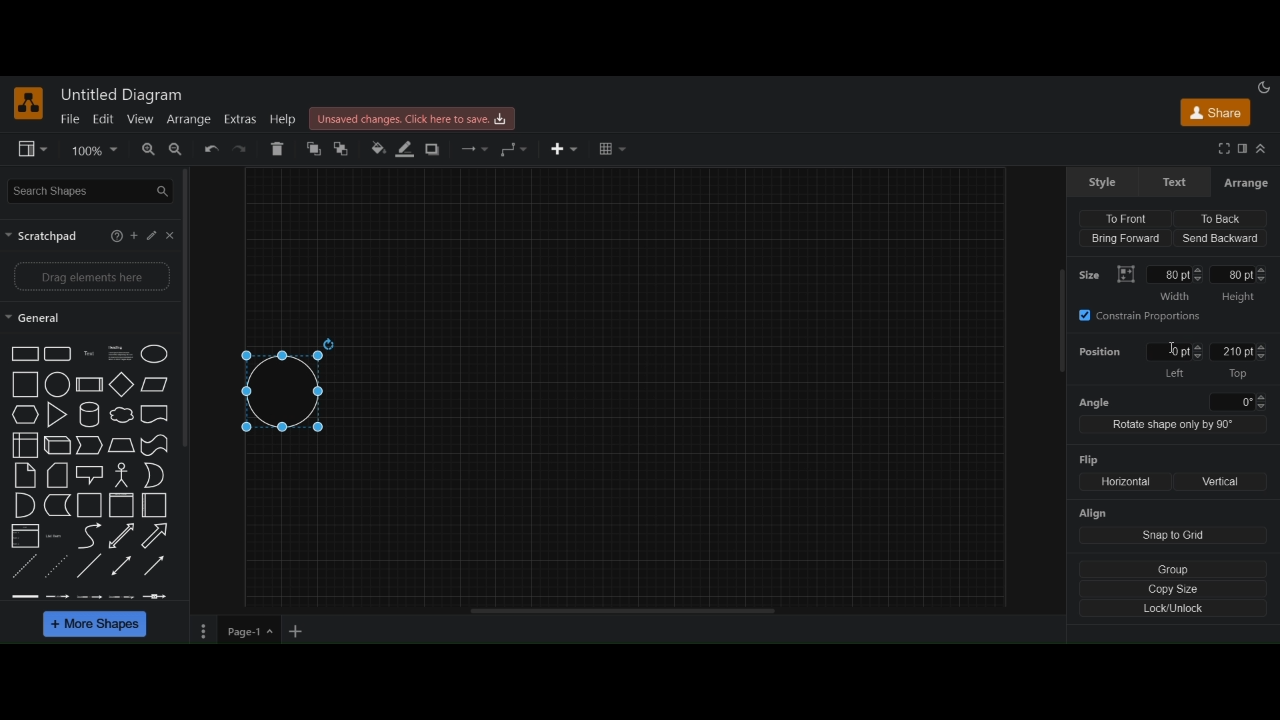 The height and width of the screenshot is (720, 1280). I want to click on angle, so click(1171, 402).